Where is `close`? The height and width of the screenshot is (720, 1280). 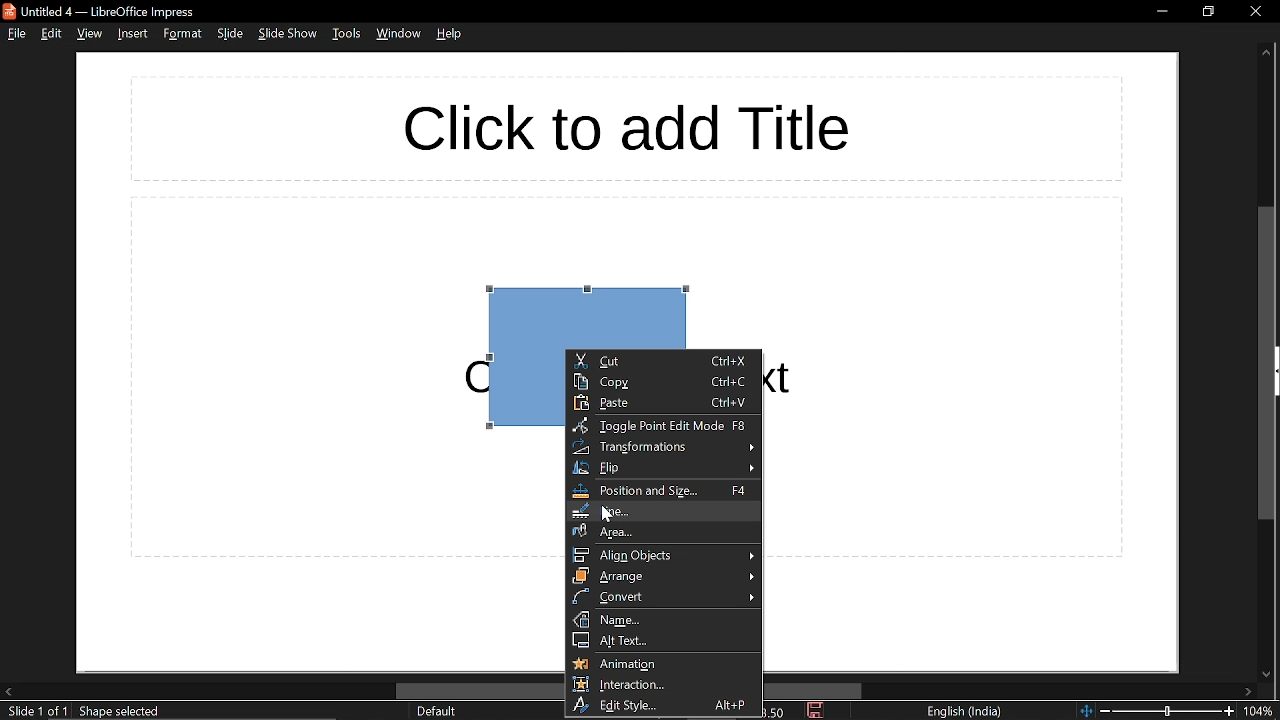
close is located at coordinates (1255, 10).